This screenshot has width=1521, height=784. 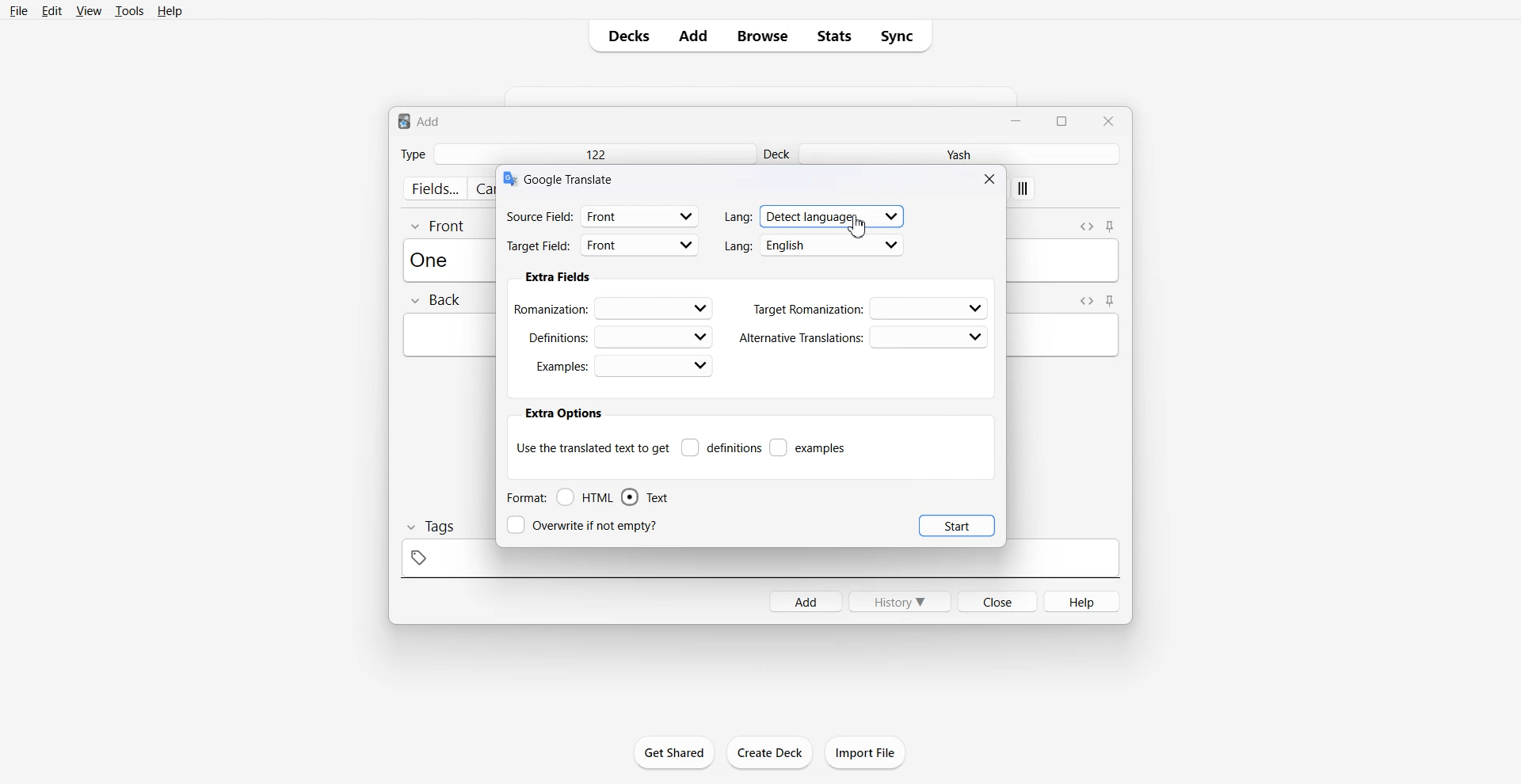 What do you see at coordinates (525, 497) in the screenshot?
I see `Format` at bounding box center [525, 497].